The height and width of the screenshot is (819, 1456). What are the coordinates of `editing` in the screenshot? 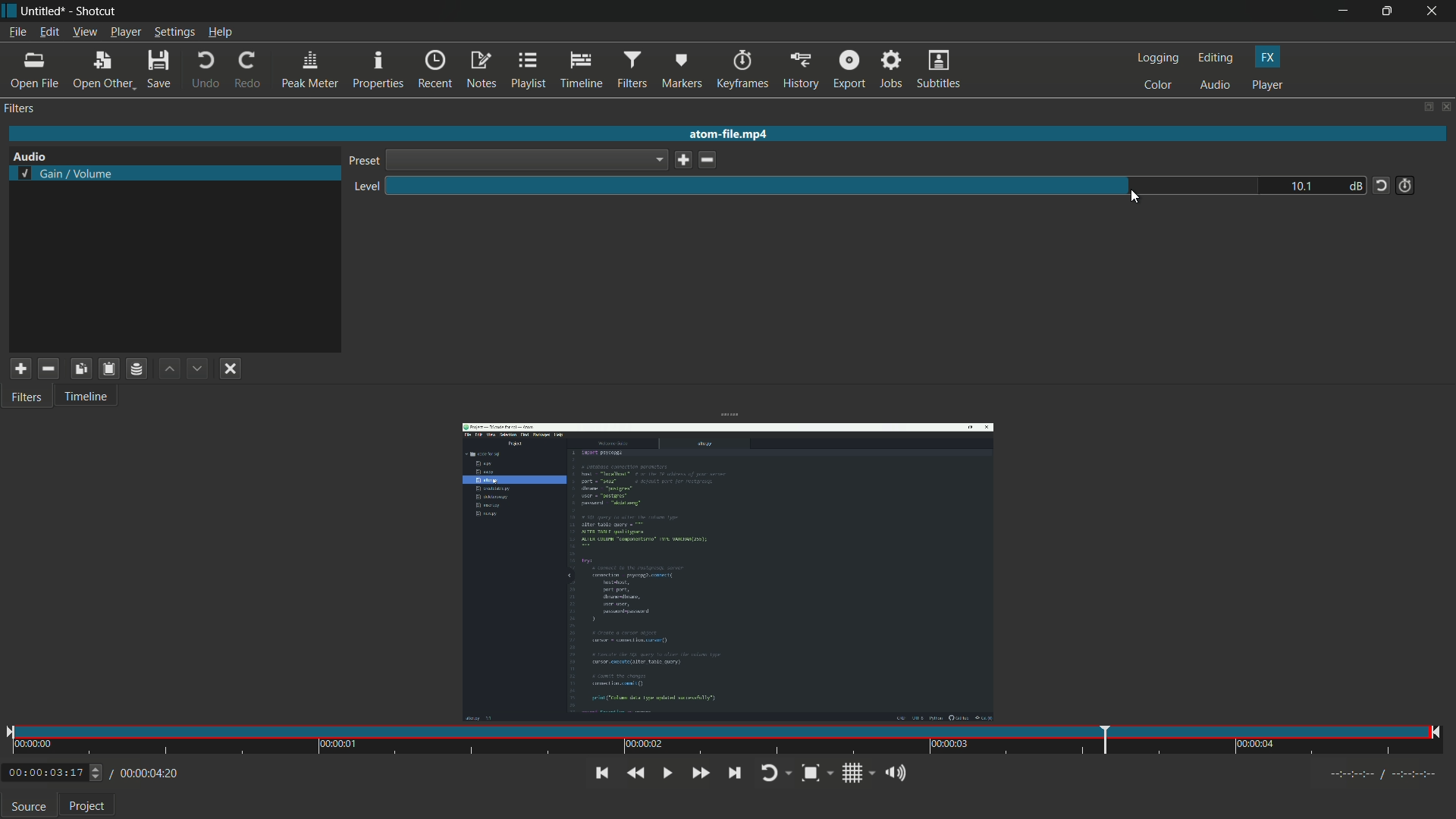 It's located at (1216, 58).